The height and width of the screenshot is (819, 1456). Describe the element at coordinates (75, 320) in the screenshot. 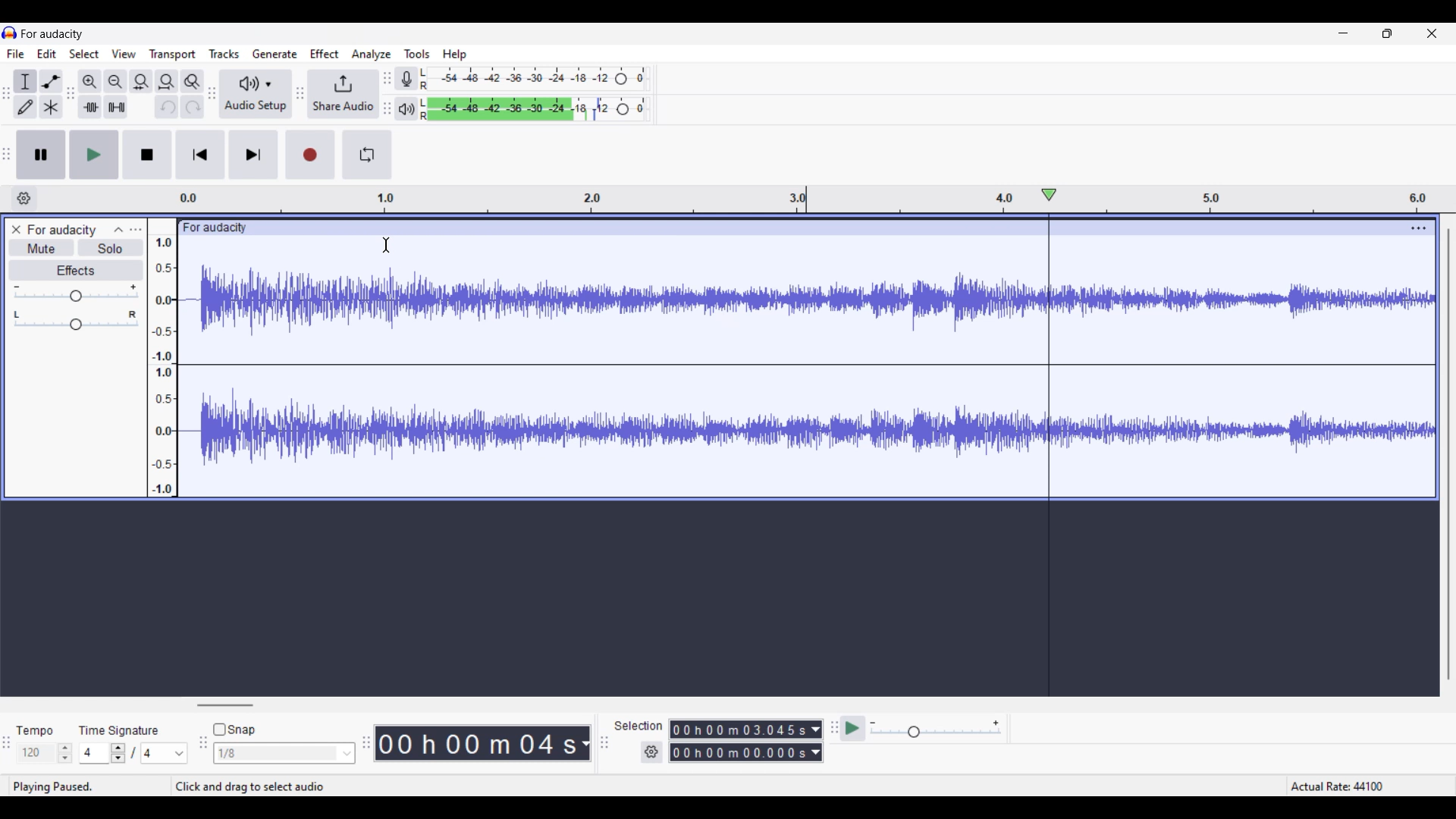

I see `Pan scale` at that location.